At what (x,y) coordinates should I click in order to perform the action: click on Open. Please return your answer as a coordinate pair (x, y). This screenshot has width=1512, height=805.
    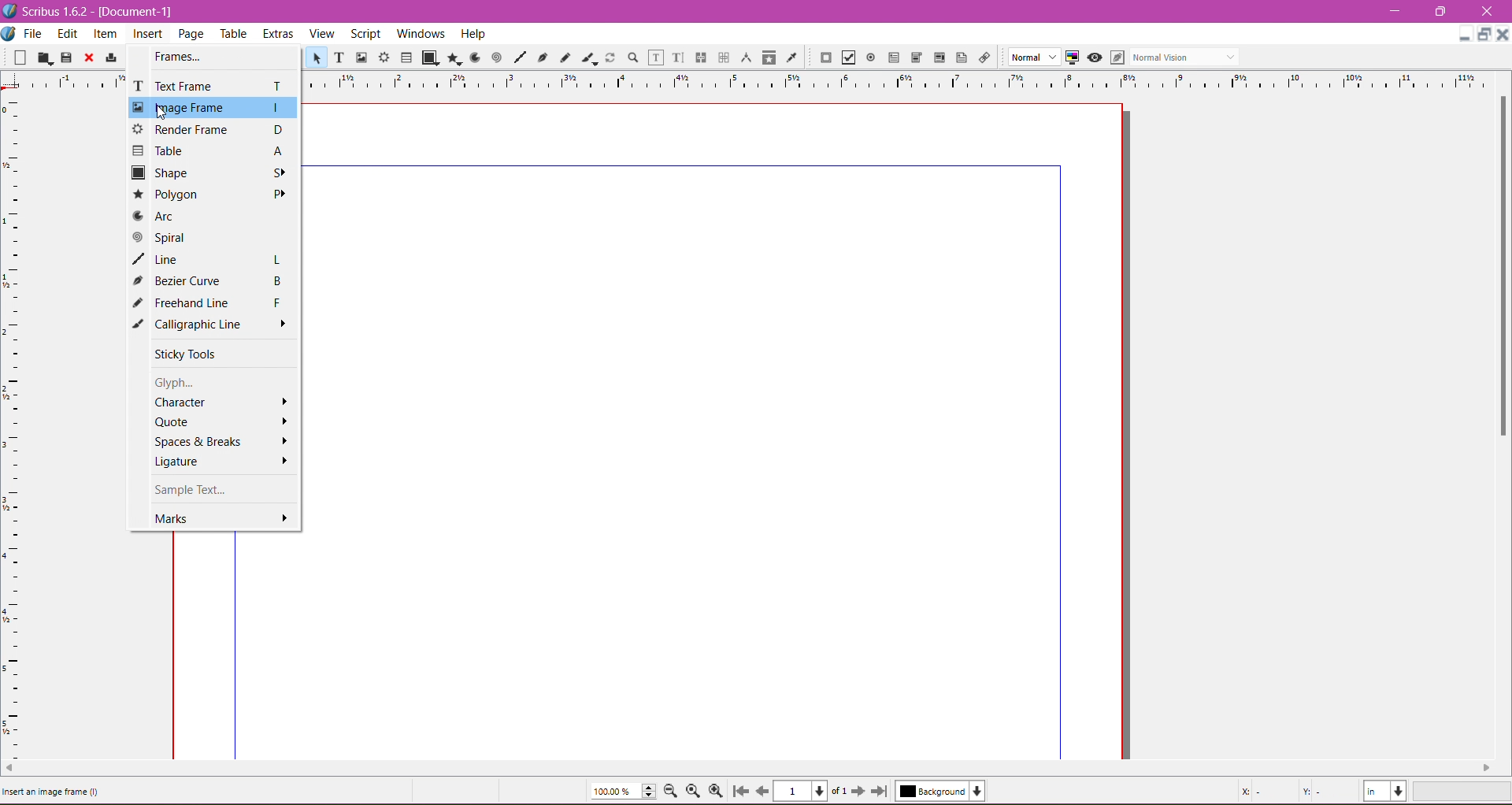
    Looking at the image, I should click on (45, 57).